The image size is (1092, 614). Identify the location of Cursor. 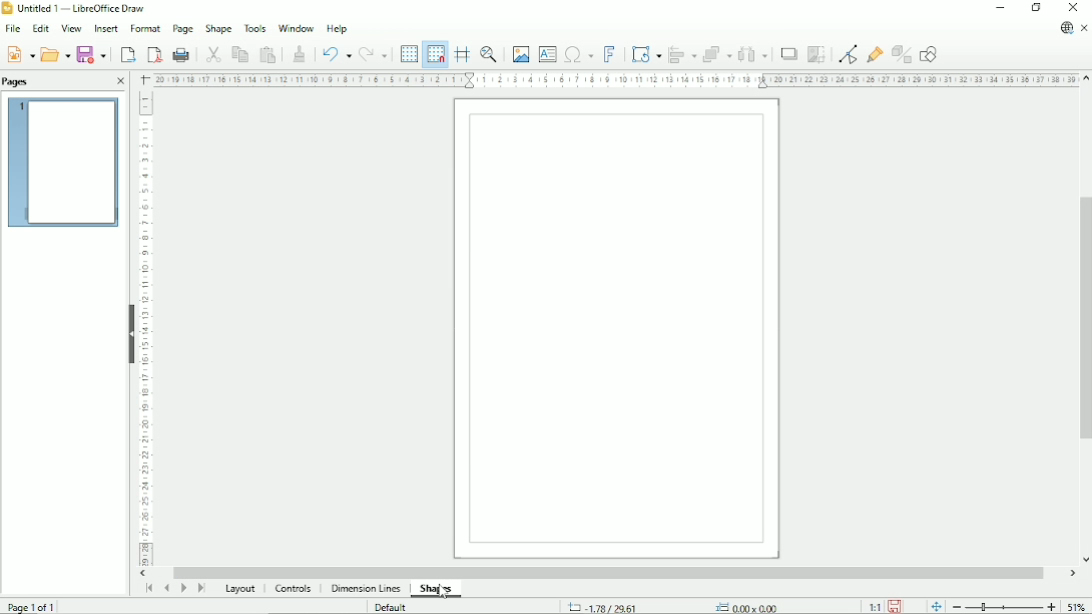
(442, 592).